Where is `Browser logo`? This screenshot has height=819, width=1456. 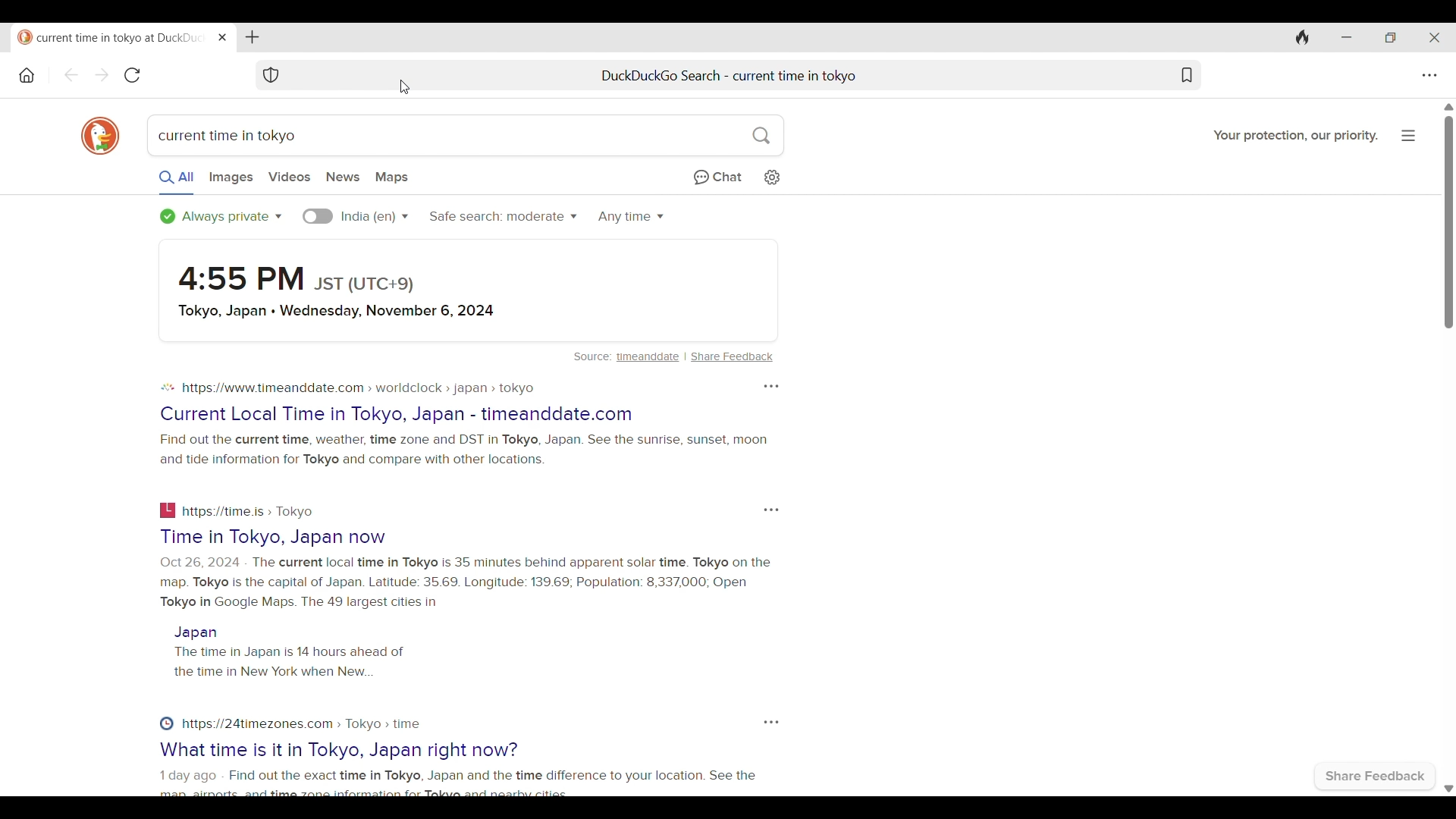 Browser logo is located at coordinates (101, 136).